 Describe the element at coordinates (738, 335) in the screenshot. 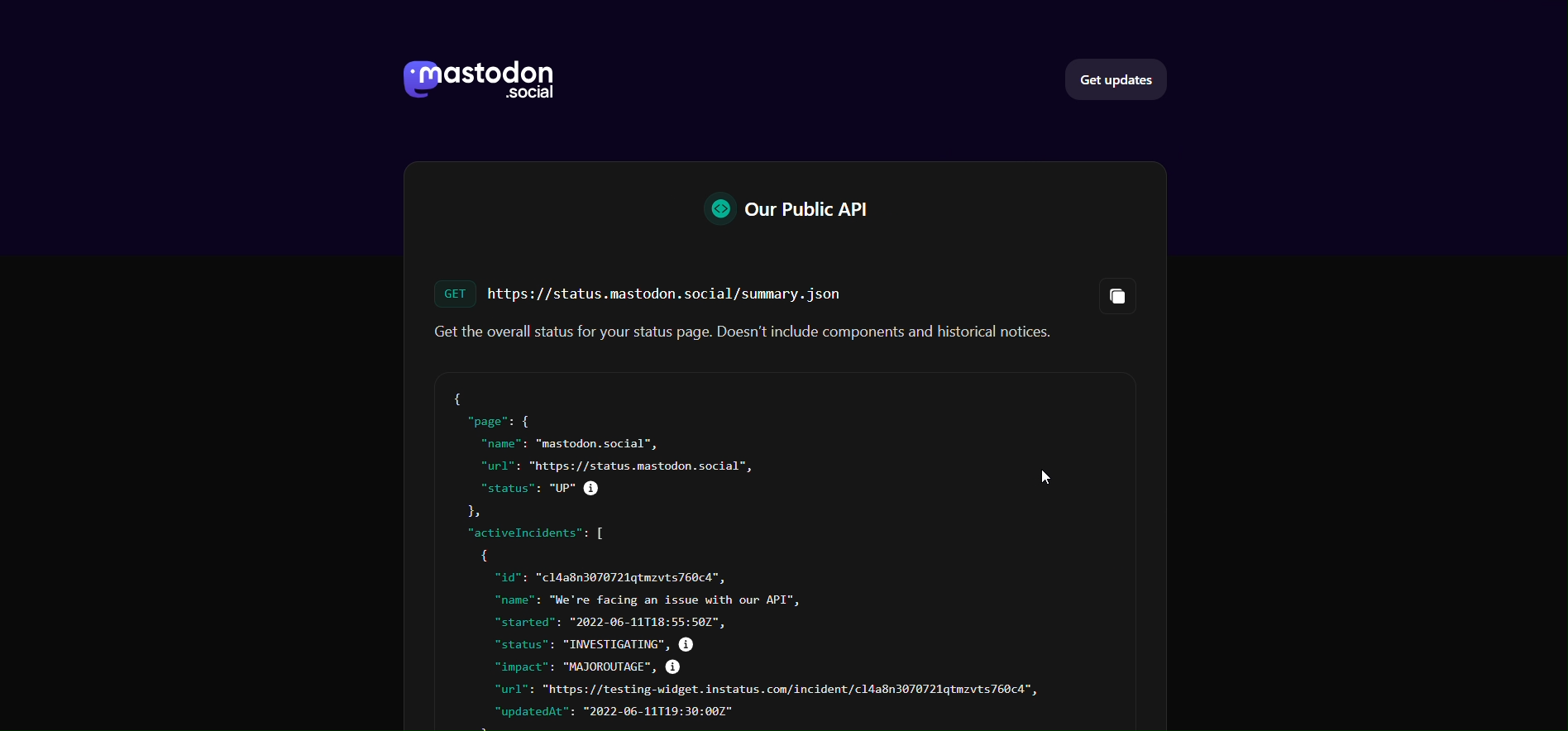

I see `status Text` at that location.